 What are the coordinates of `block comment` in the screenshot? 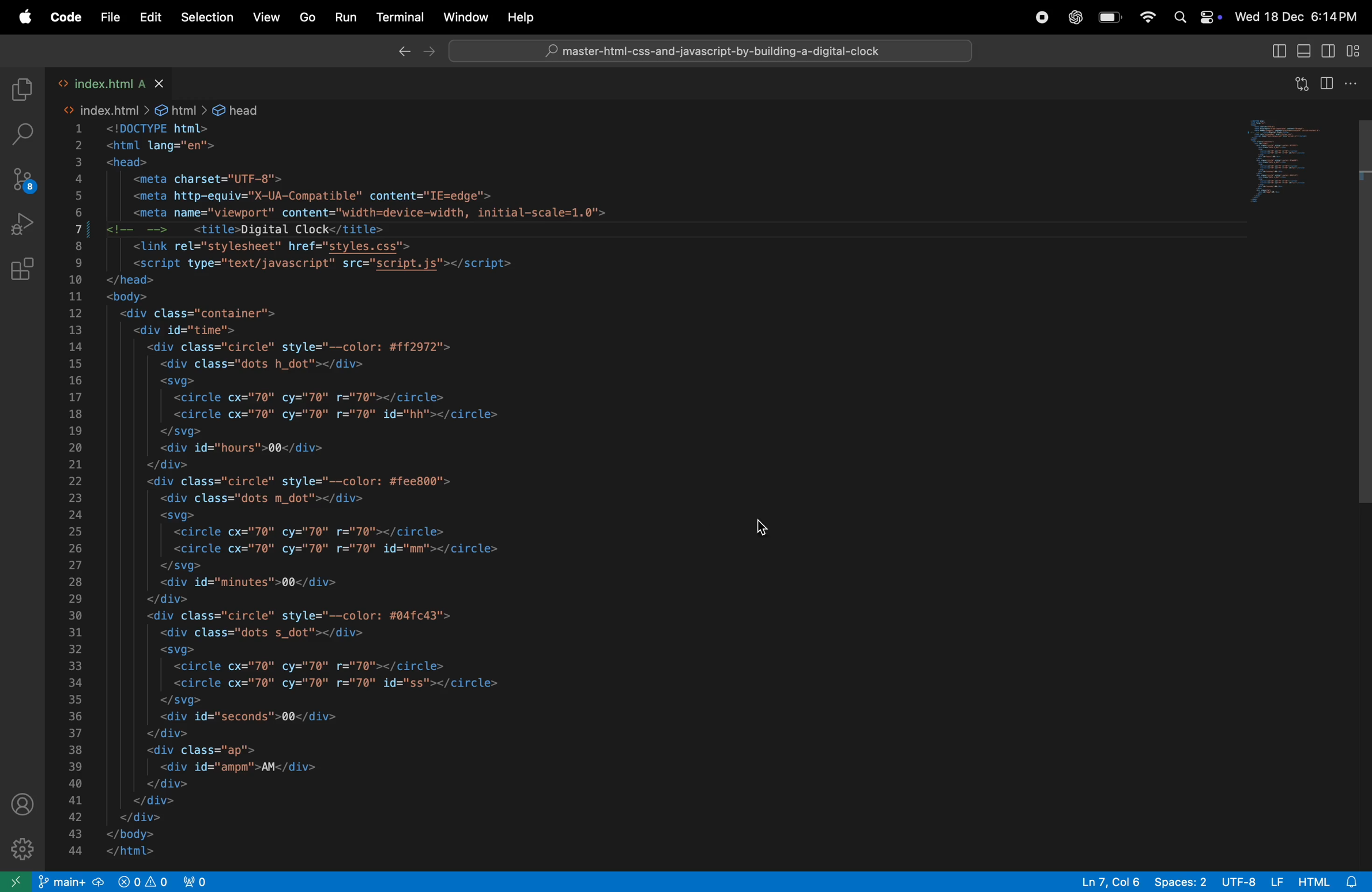 It's located at (144, 230).